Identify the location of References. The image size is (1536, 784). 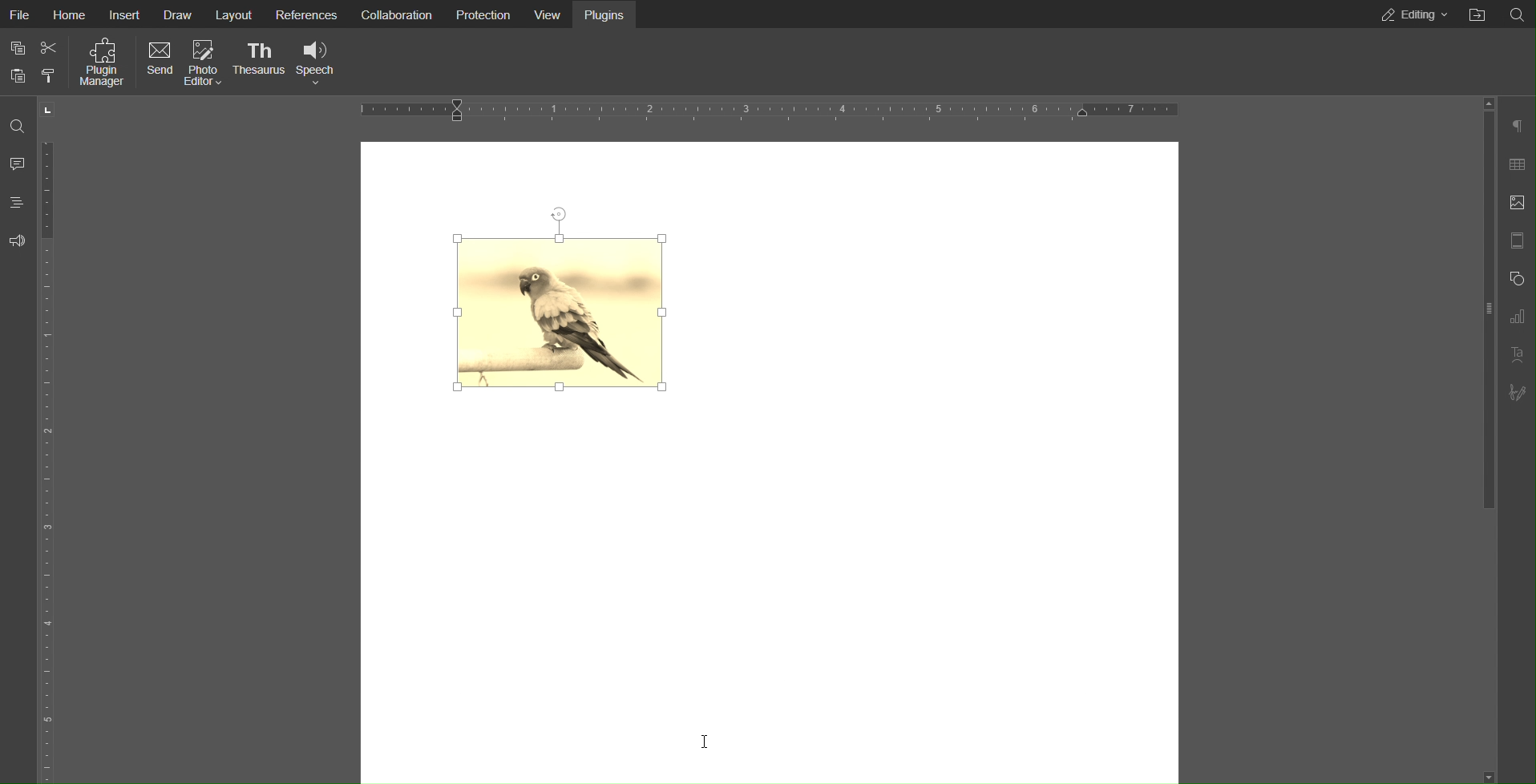
(305, 14).